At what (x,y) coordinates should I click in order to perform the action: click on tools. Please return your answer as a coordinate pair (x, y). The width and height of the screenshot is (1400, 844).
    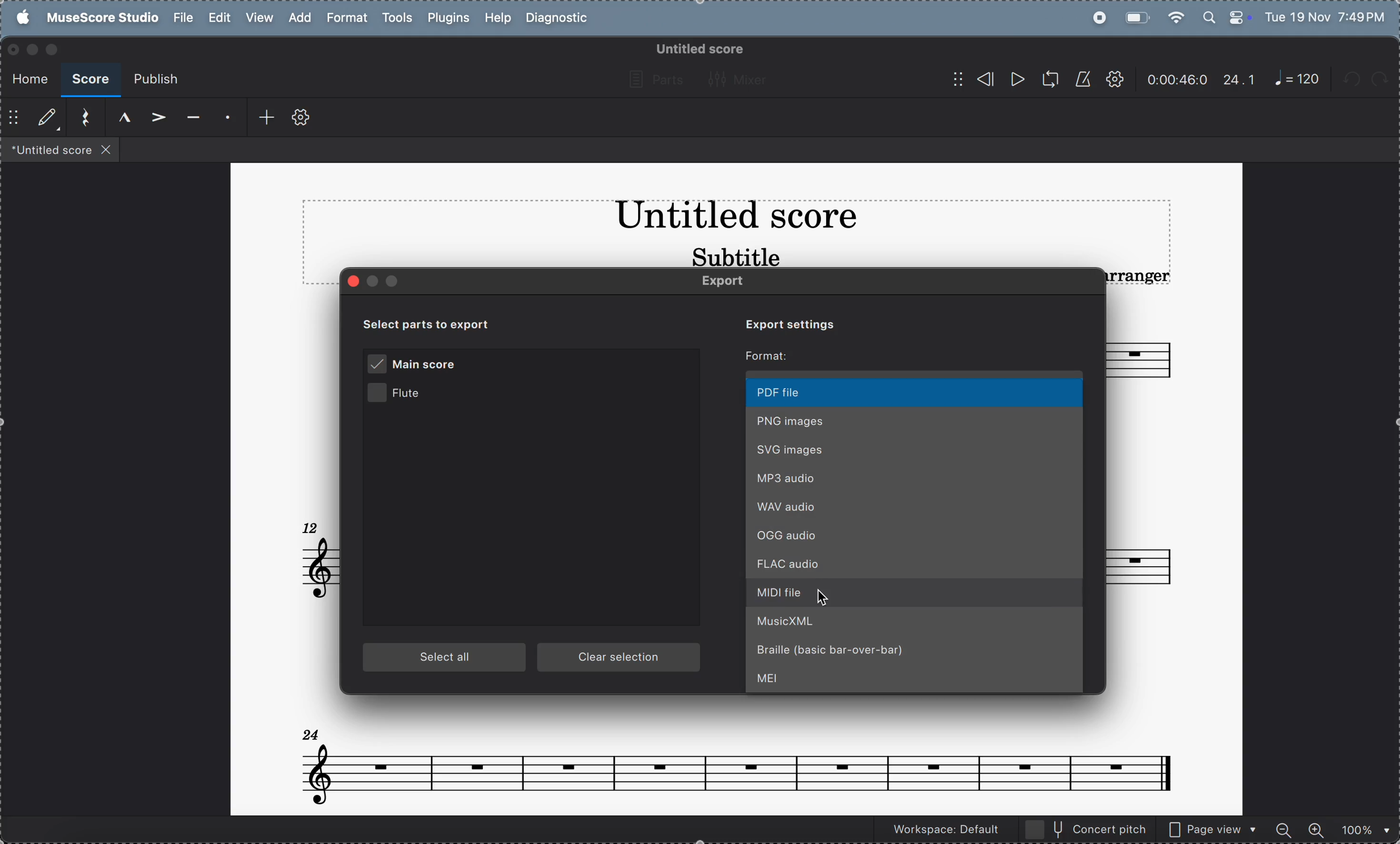
    Looking at the image, I should click on (397, 19).